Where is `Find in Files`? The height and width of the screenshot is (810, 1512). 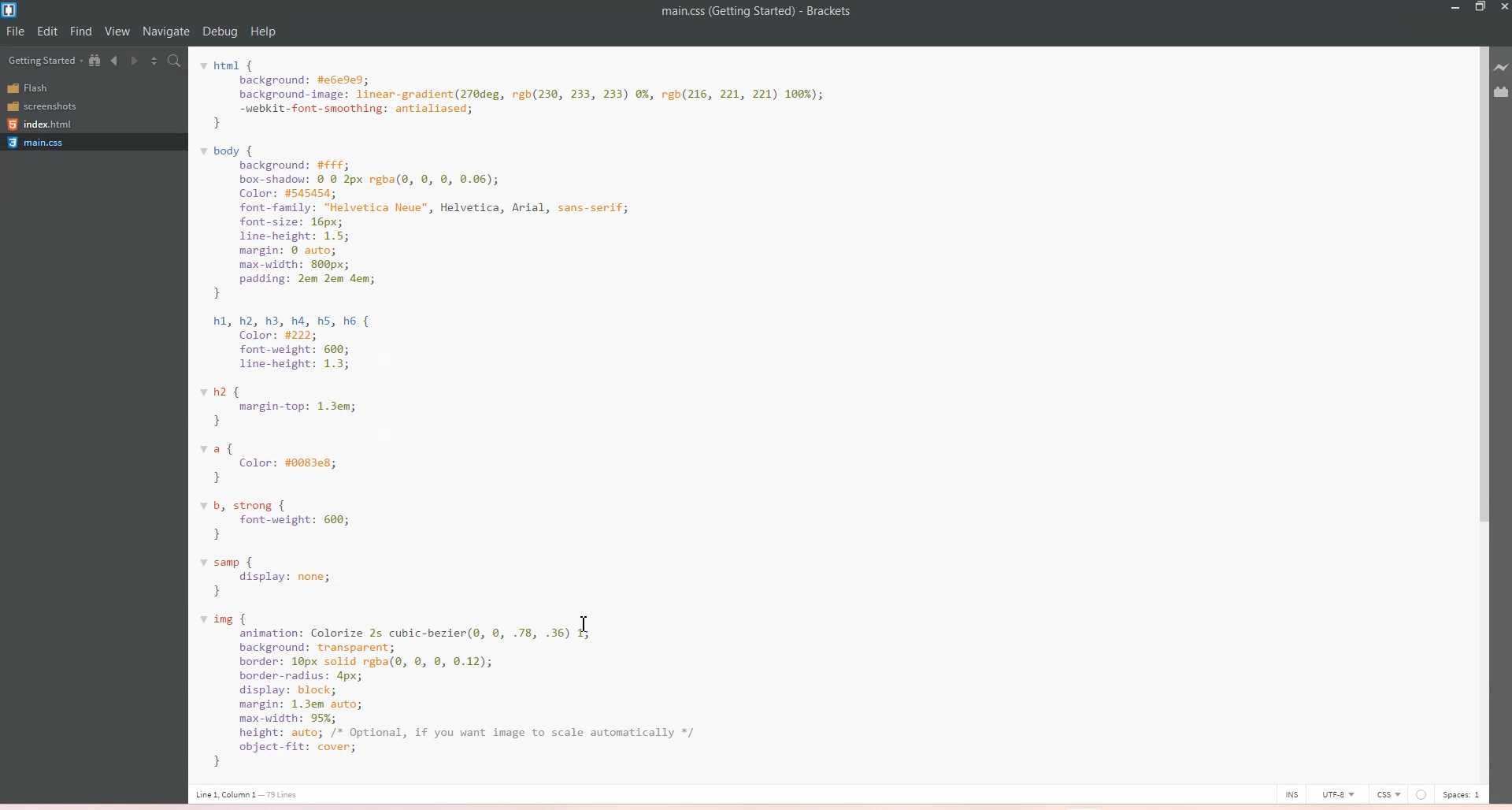
Find in Files is located at coordinates (175, 61).